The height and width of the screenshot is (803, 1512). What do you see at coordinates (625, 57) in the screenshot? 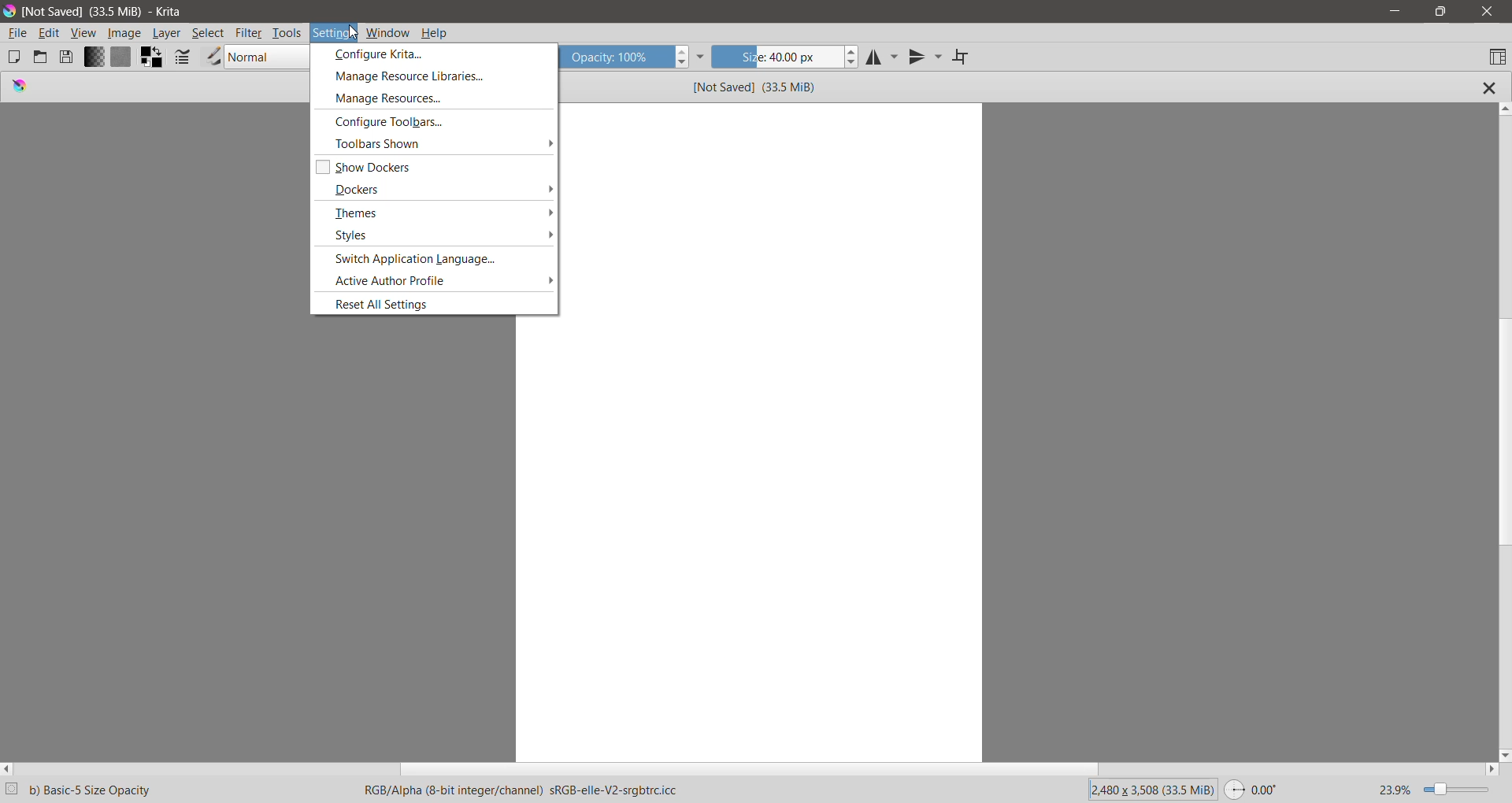
I see `Opacity` at bounding box center [625, 57].